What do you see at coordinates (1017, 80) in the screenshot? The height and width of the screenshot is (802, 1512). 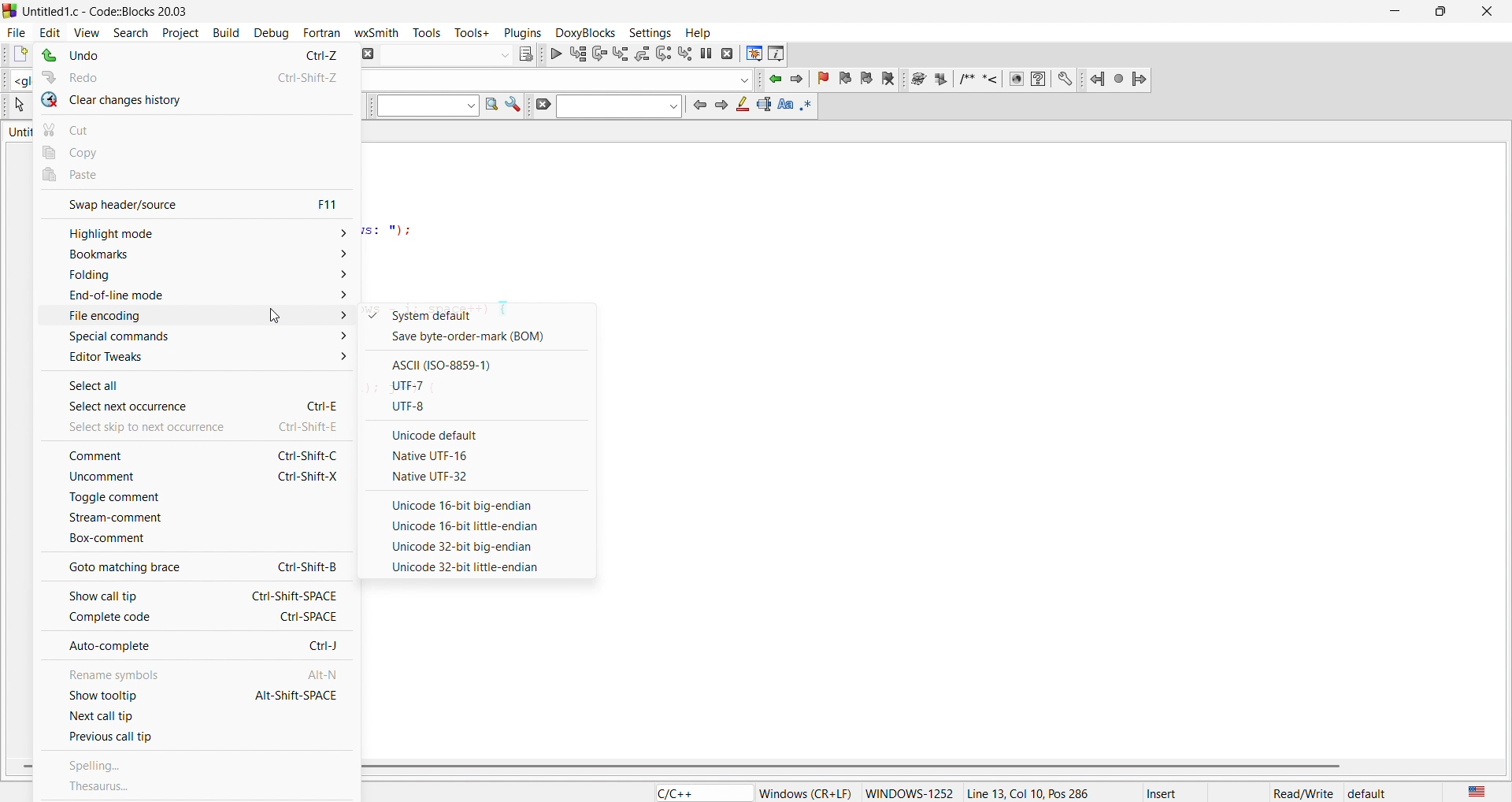 I see `web` at bounding box center [1017, 80].